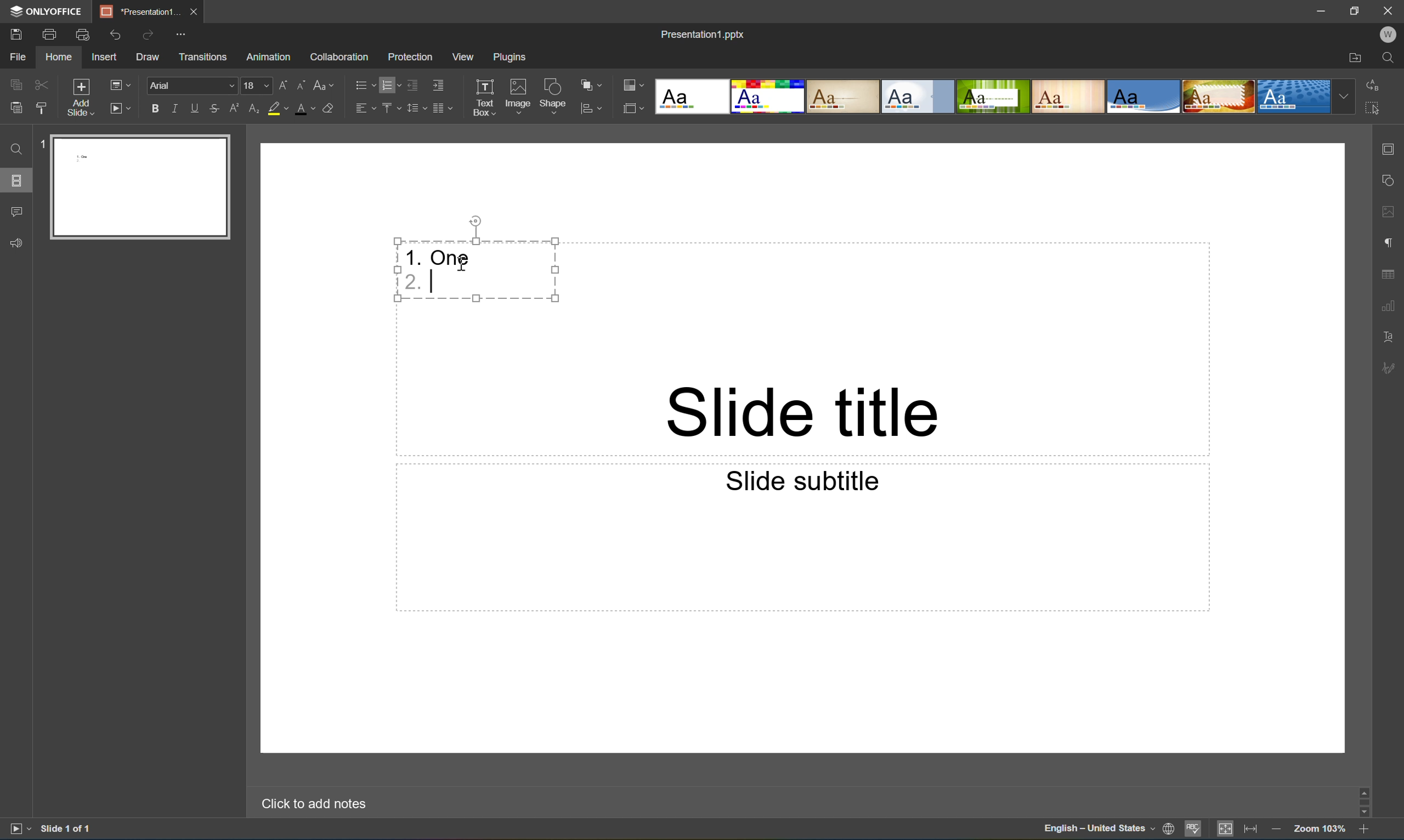 This screenshot has width=1404, height=840. I want to click on Cut, so click(41, 82).